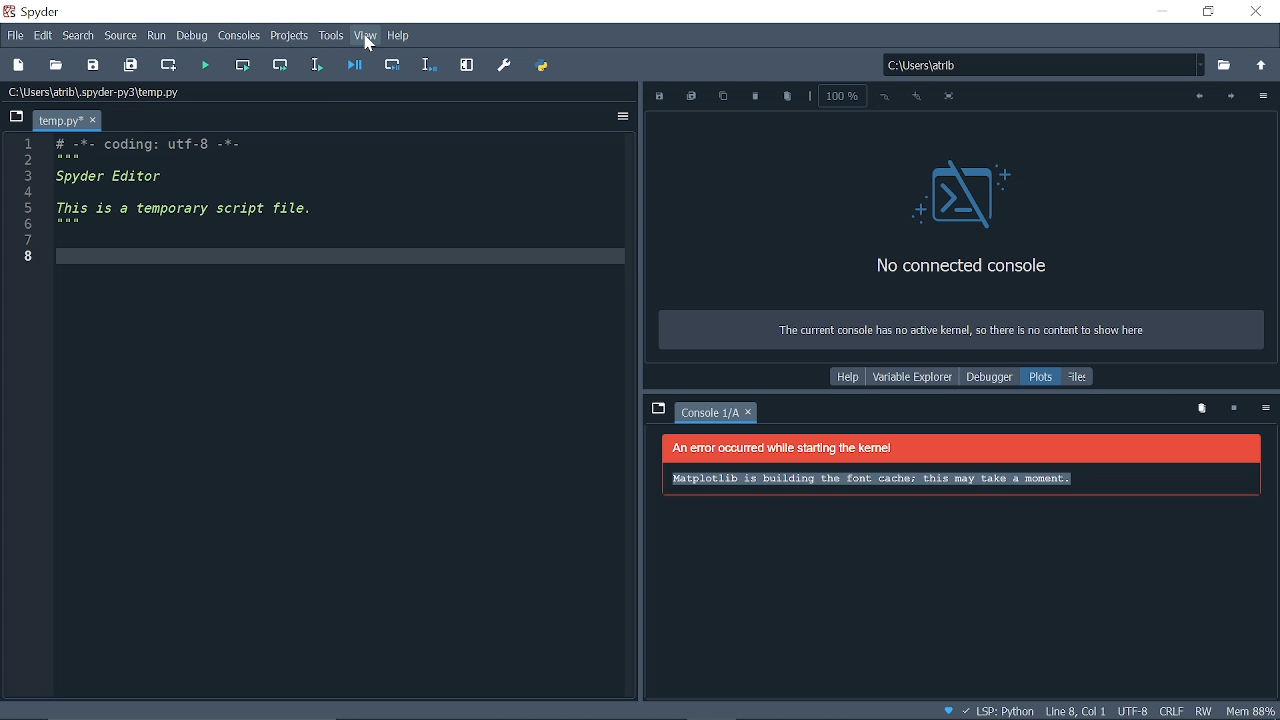  Describe the element at coordinates (1170, 711) in the screenshot. I see `File status` at that location.